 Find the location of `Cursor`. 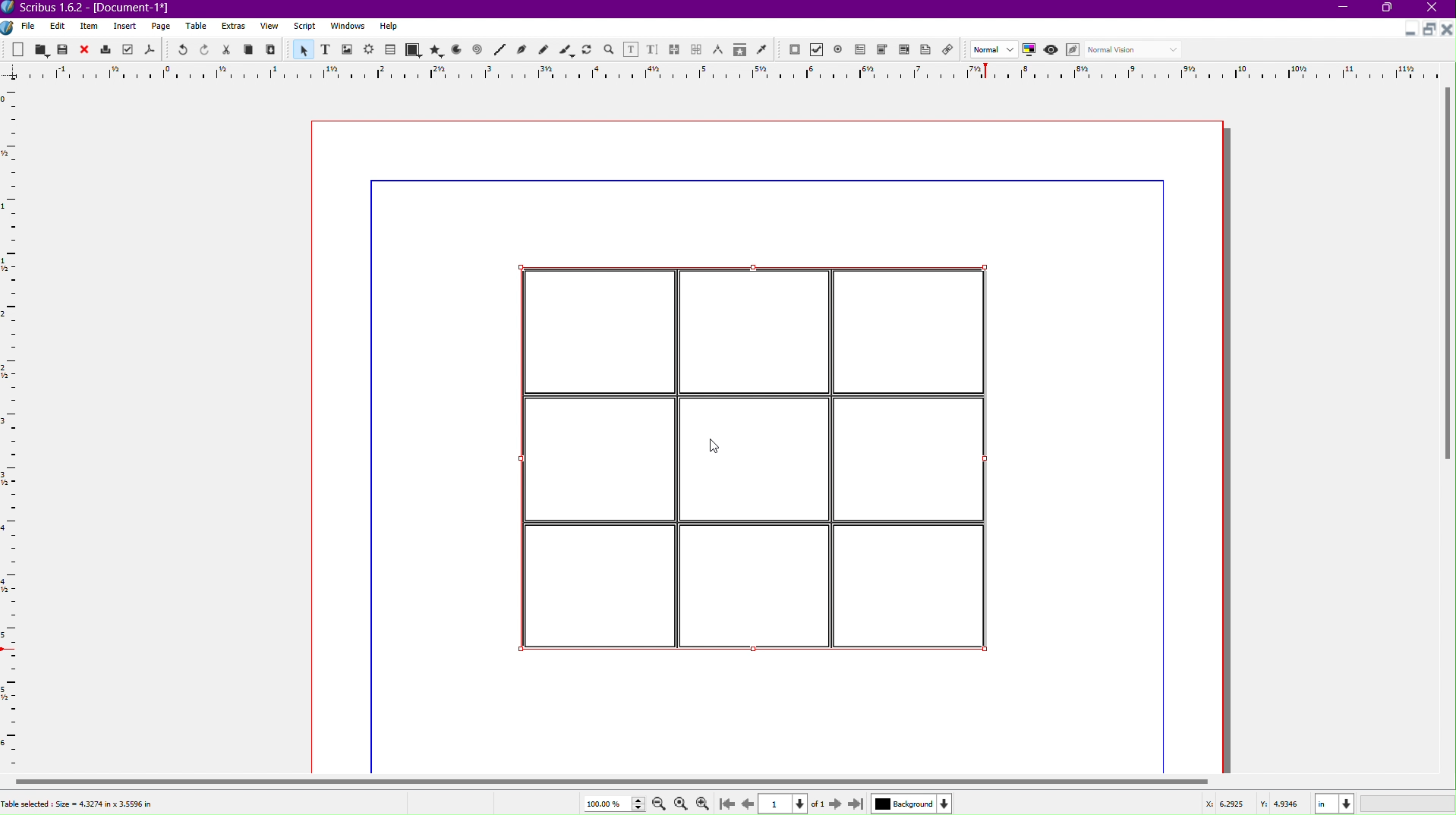

Cursor is located at coordinates (712, 445).